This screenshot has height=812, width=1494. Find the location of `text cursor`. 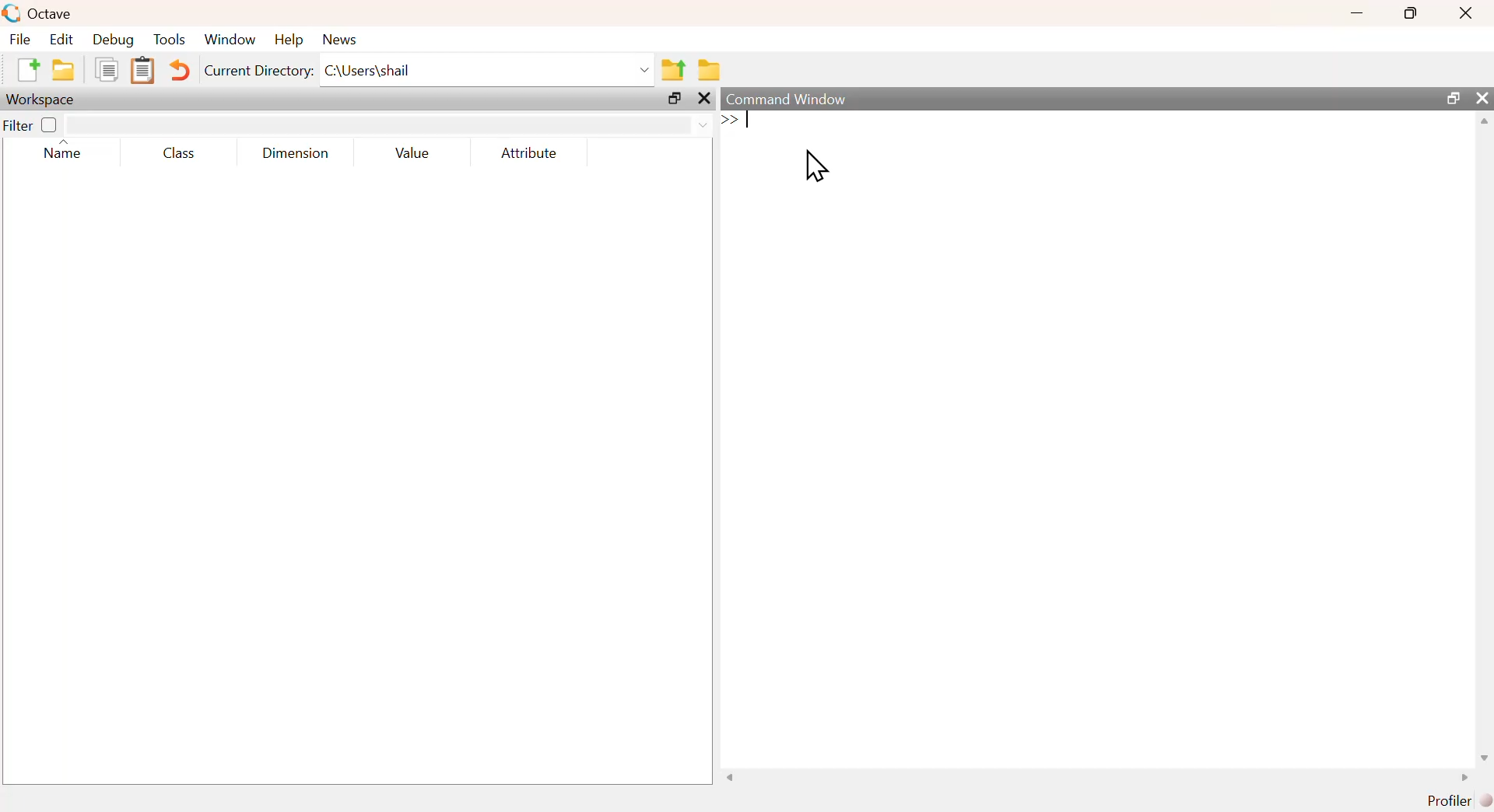

text cursor is located at coordinates (749, 122).